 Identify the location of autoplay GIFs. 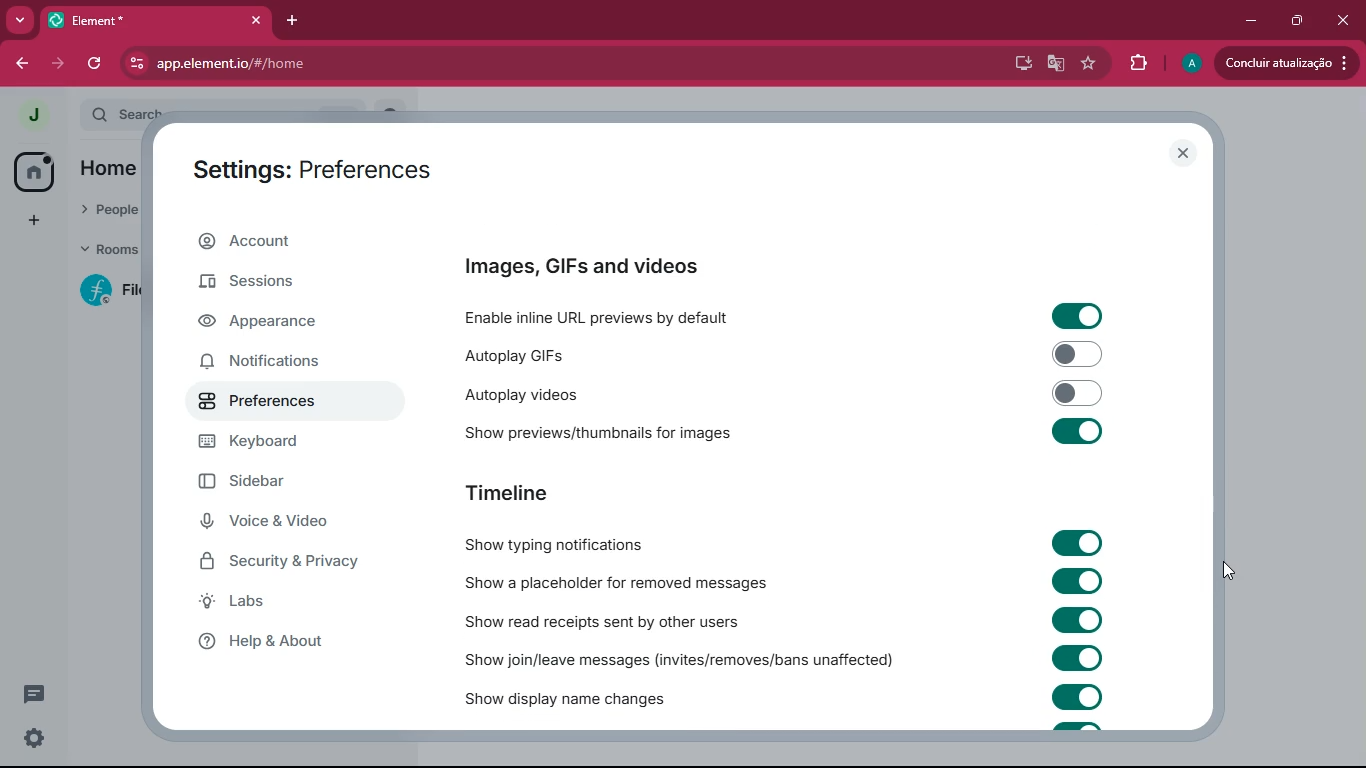
(640, 354).